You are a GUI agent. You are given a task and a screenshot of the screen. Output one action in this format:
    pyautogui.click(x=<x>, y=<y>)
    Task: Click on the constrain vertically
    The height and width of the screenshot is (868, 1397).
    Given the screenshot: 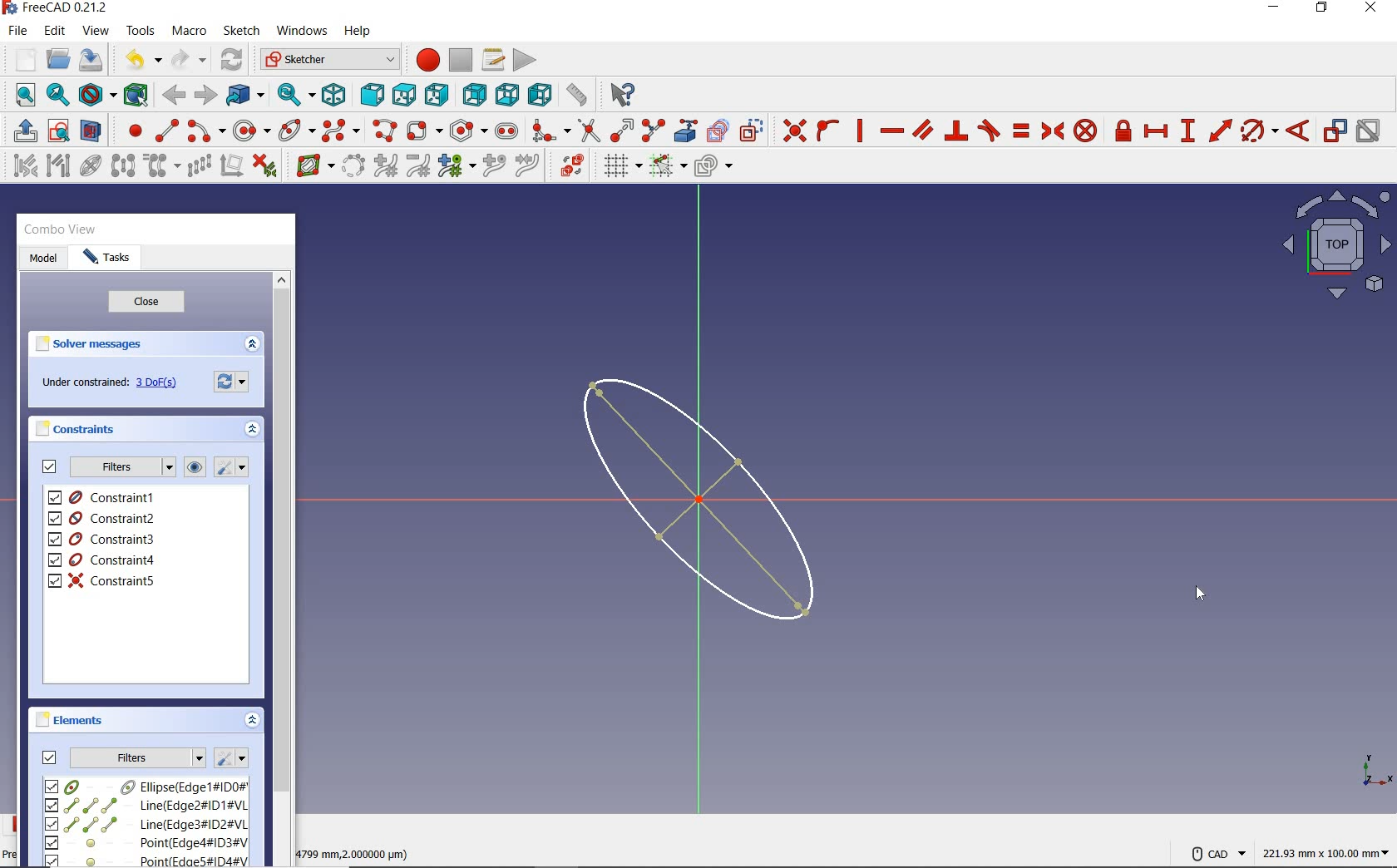 What is the action you would take?
    pyautogui.click(x=860, y=131)
    